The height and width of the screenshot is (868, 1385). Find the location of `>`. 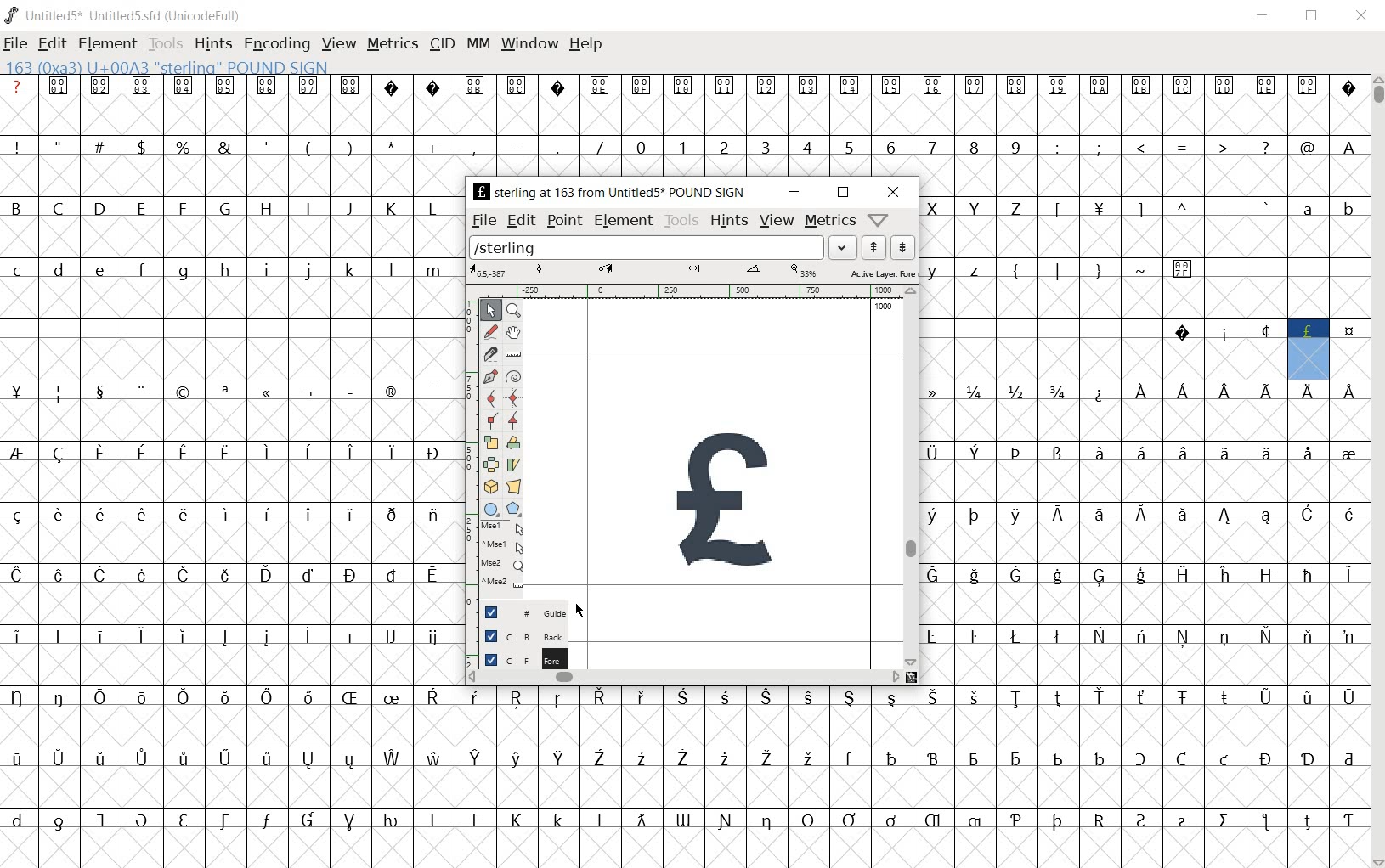

> is located at coordinates (1224, 148).